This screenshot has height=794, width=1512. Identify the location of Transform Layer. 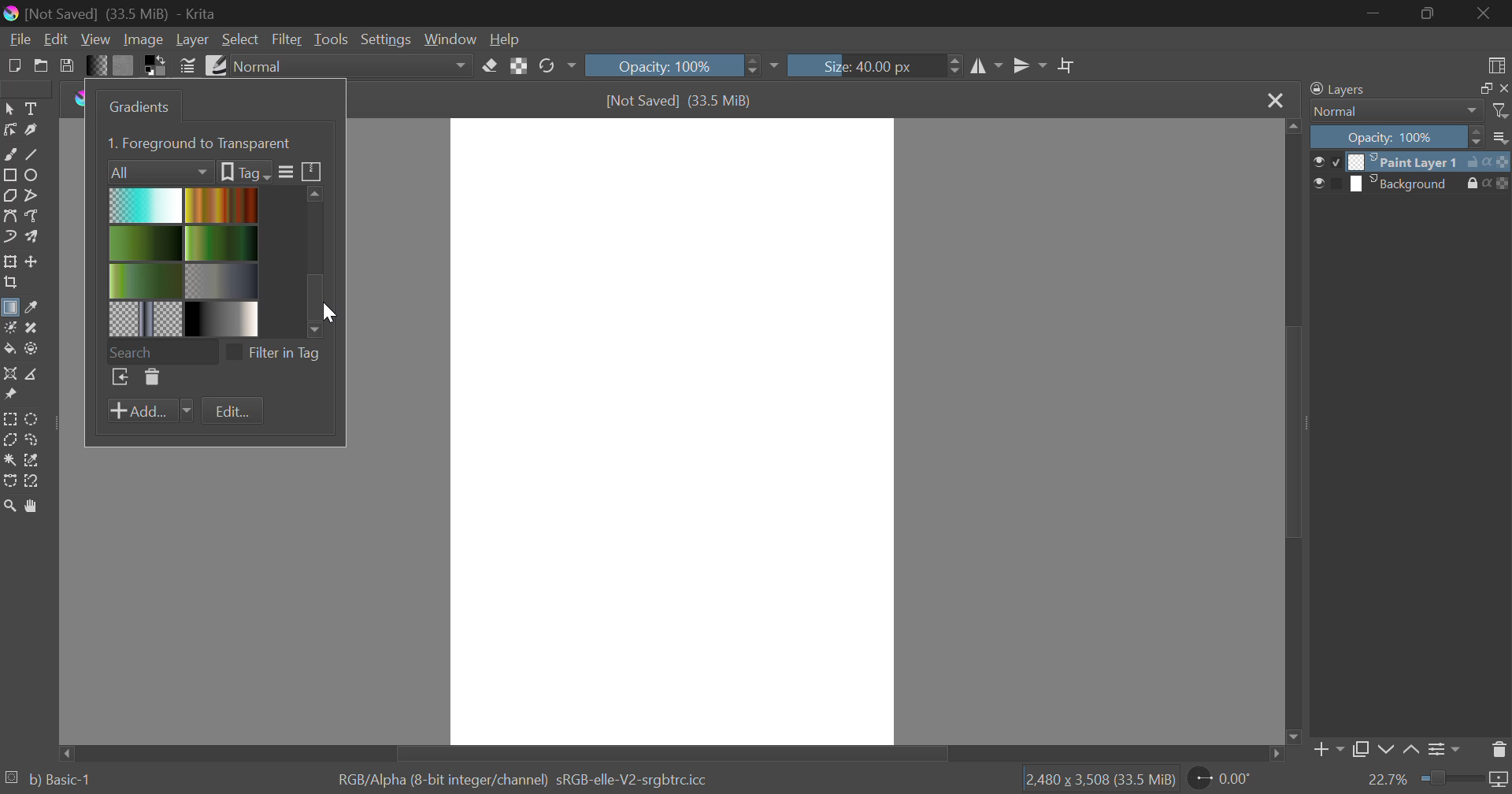
(9, 262).